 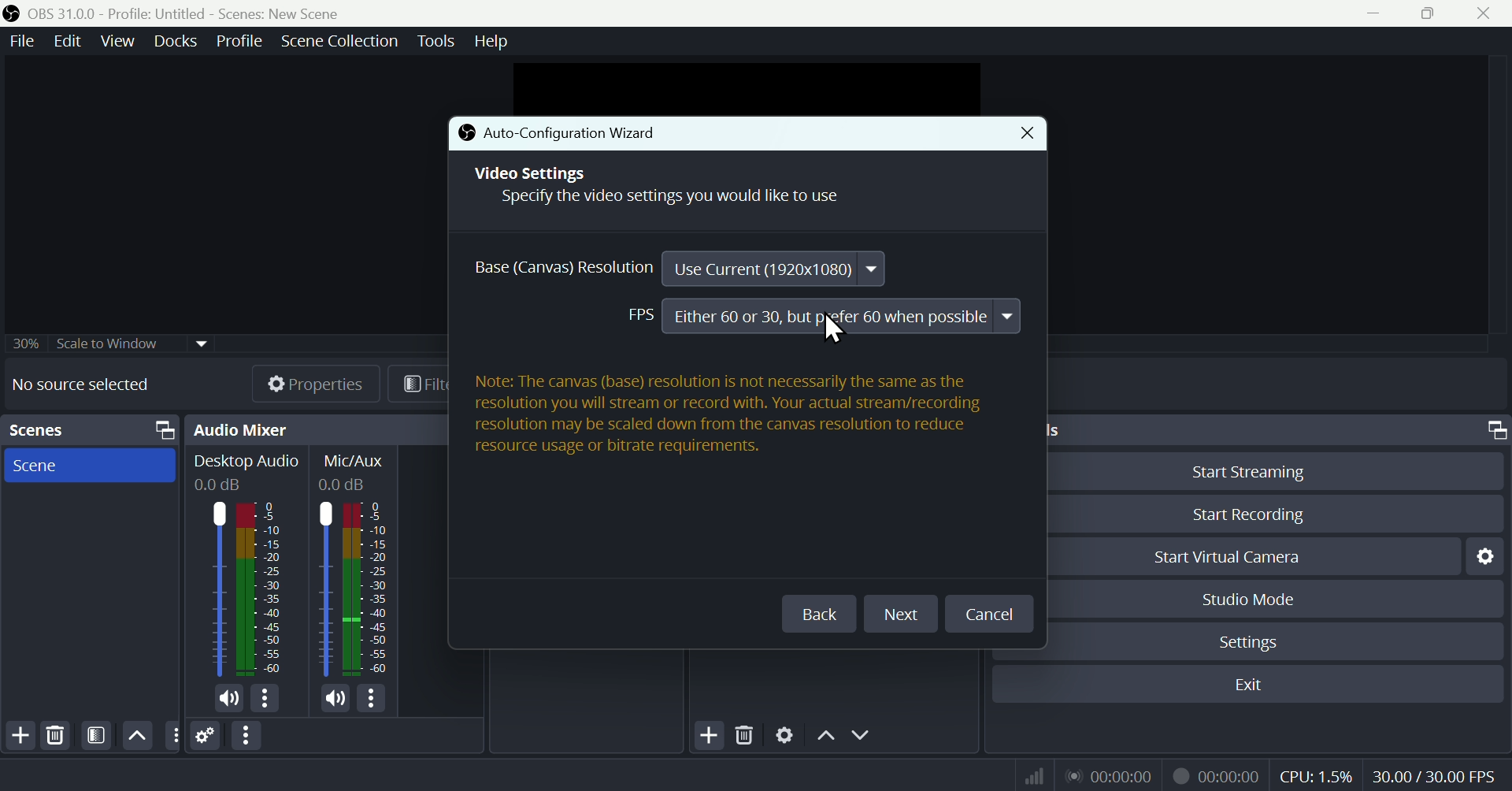 What do you see at coordinates (557, 268) in the screenshot?
I see `Base Resolution` at bounding box center [557, 268].